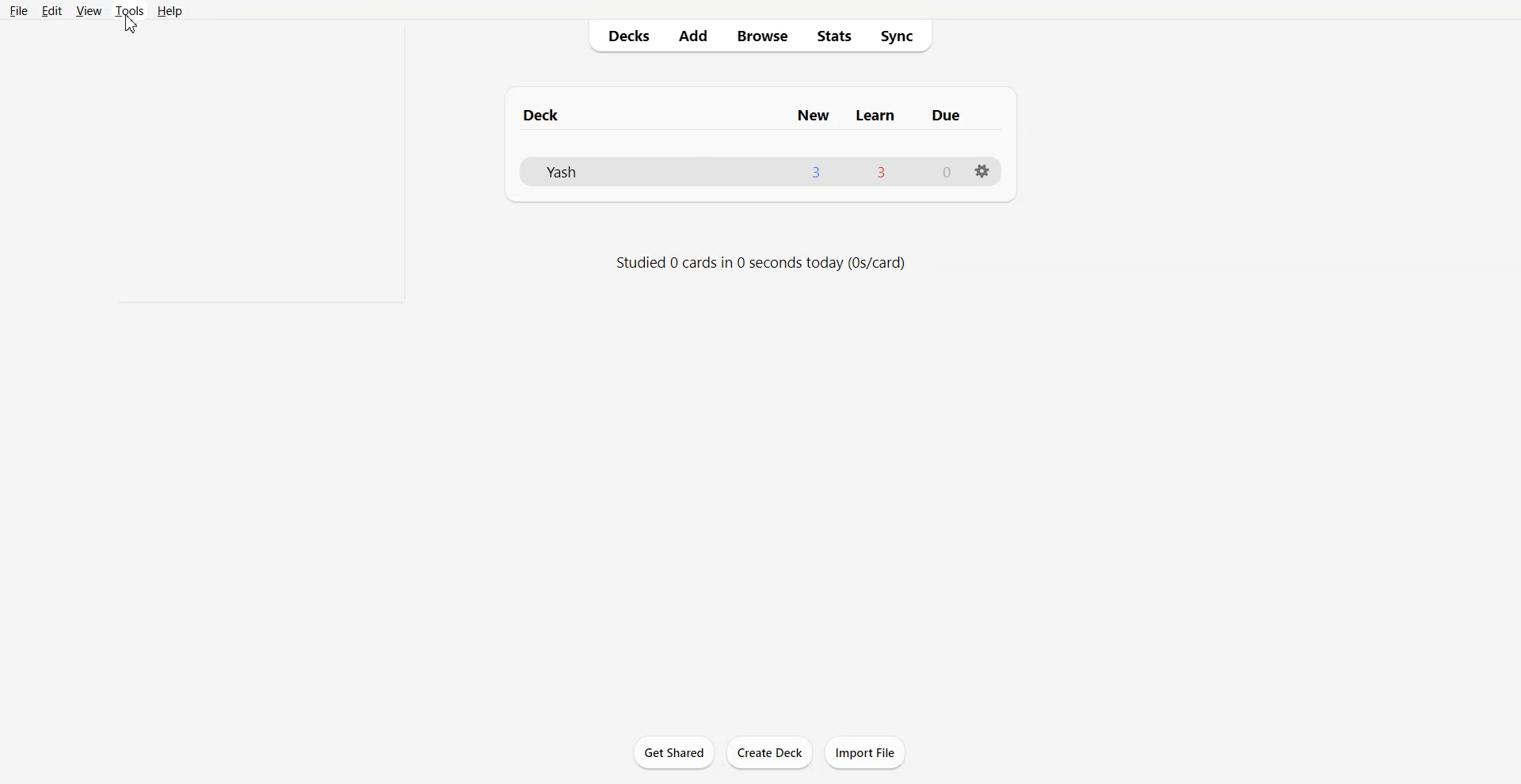 The image size is (1521, 784). What do you see at coordinates (19, 11) in the screenshot?
I see `File` at bounding box center [19, 11].